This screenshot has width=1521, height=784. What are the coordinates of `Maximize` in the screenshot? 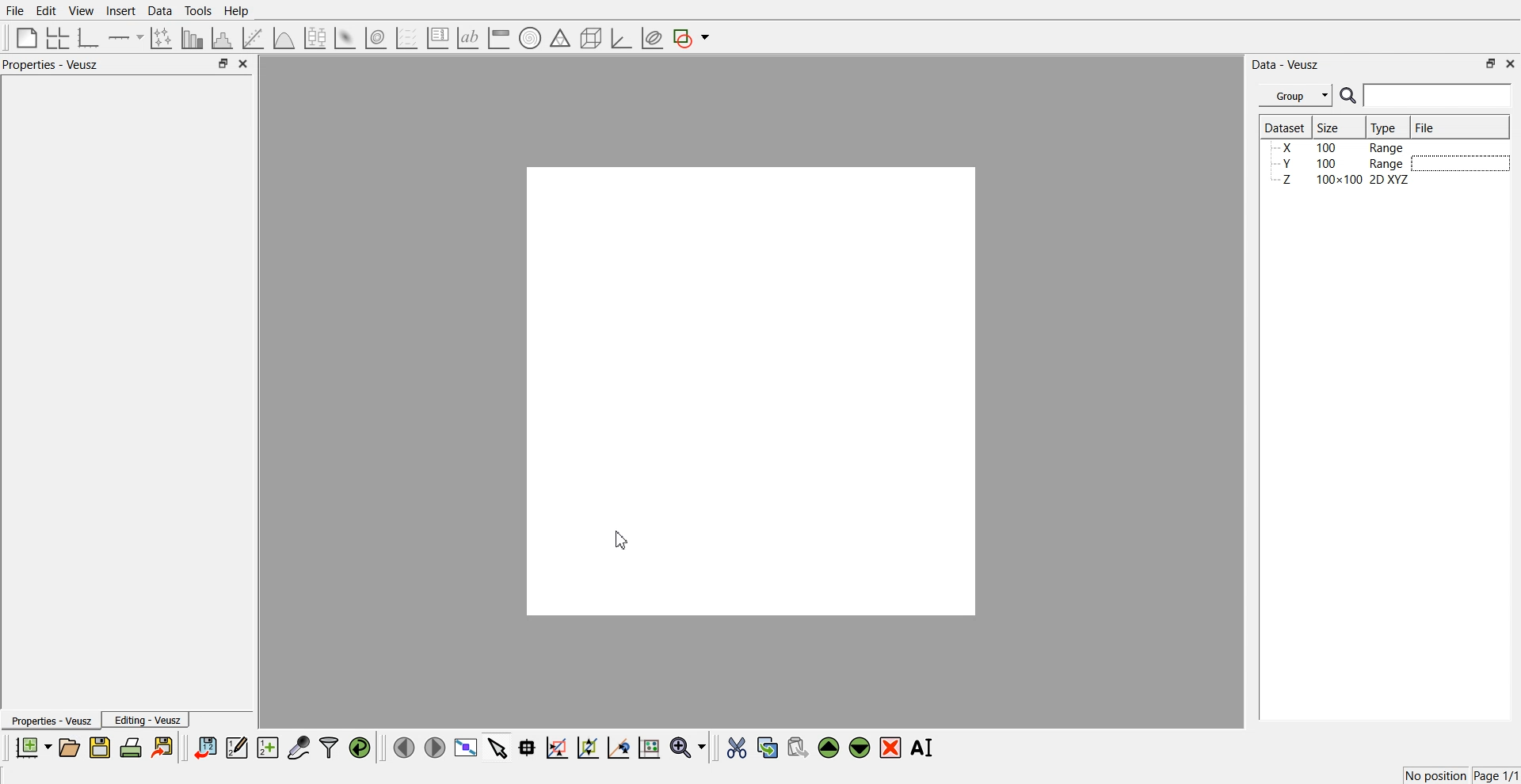 It's located at (1491, 63).